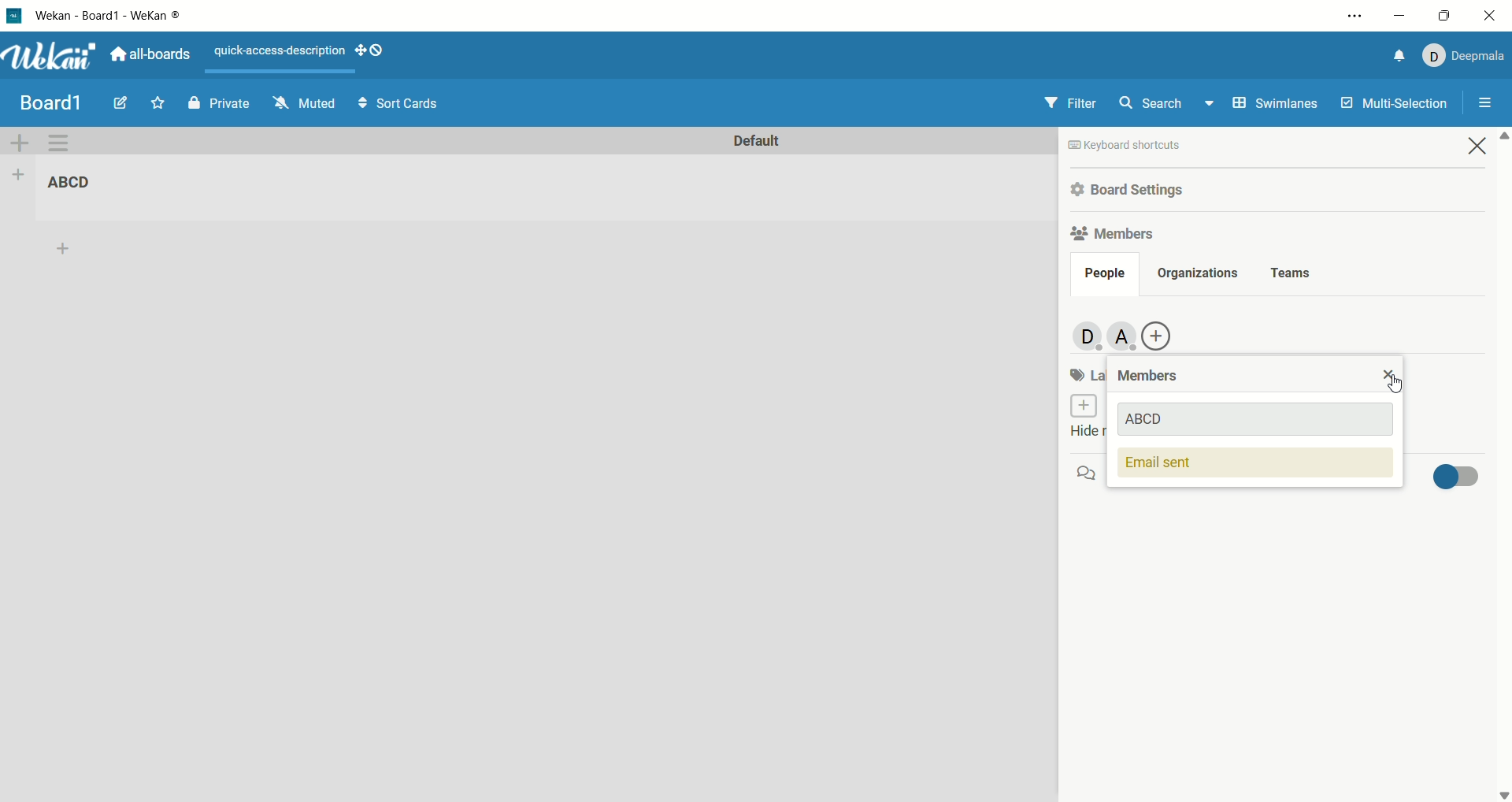  What do you see at coordinates (1392, 107) in the screenshot?
I see `multi-function` at bounding box center [1392, 107].